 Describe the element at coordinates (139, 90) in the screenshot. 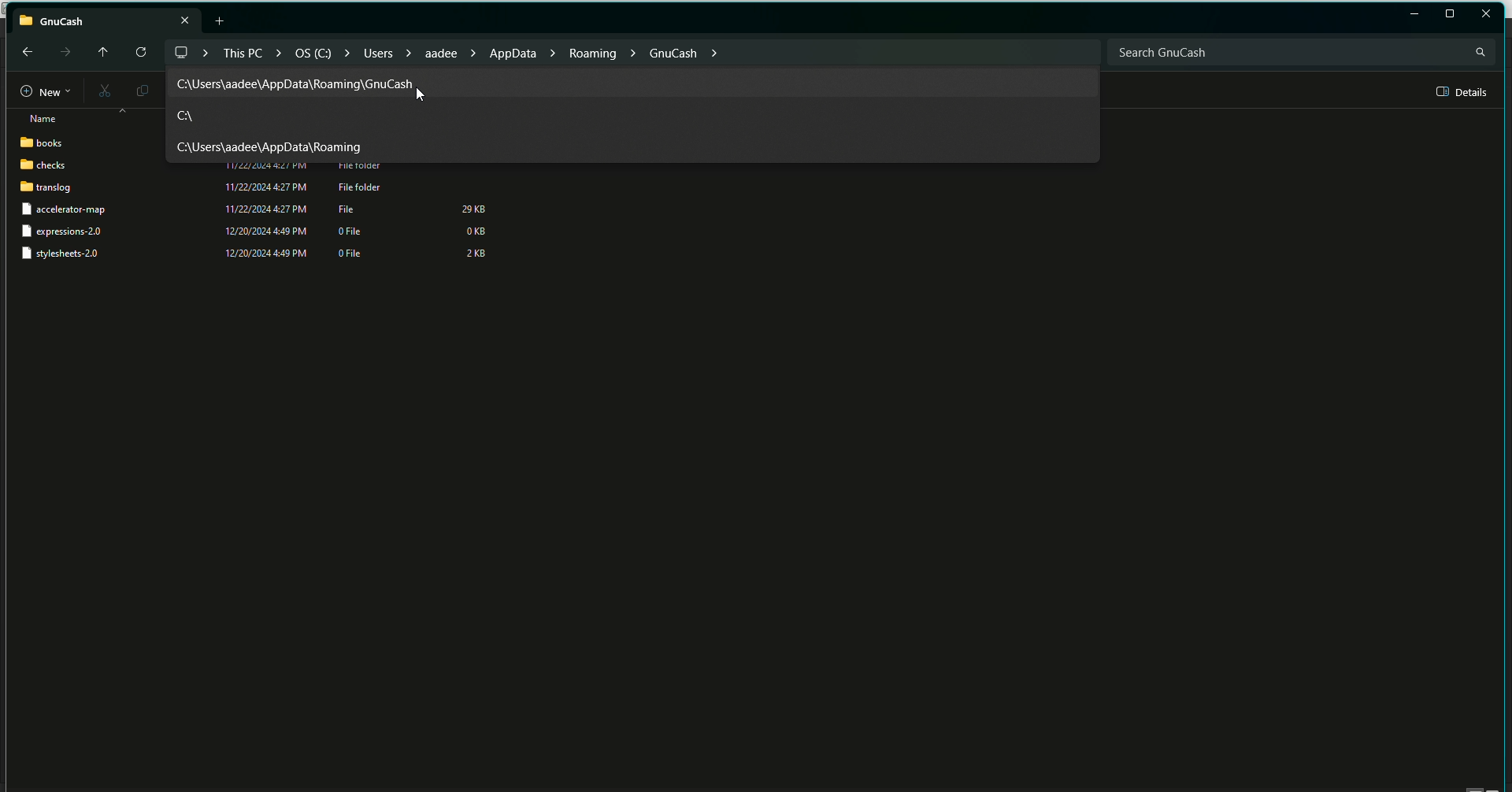

I see `Copy` at that location.